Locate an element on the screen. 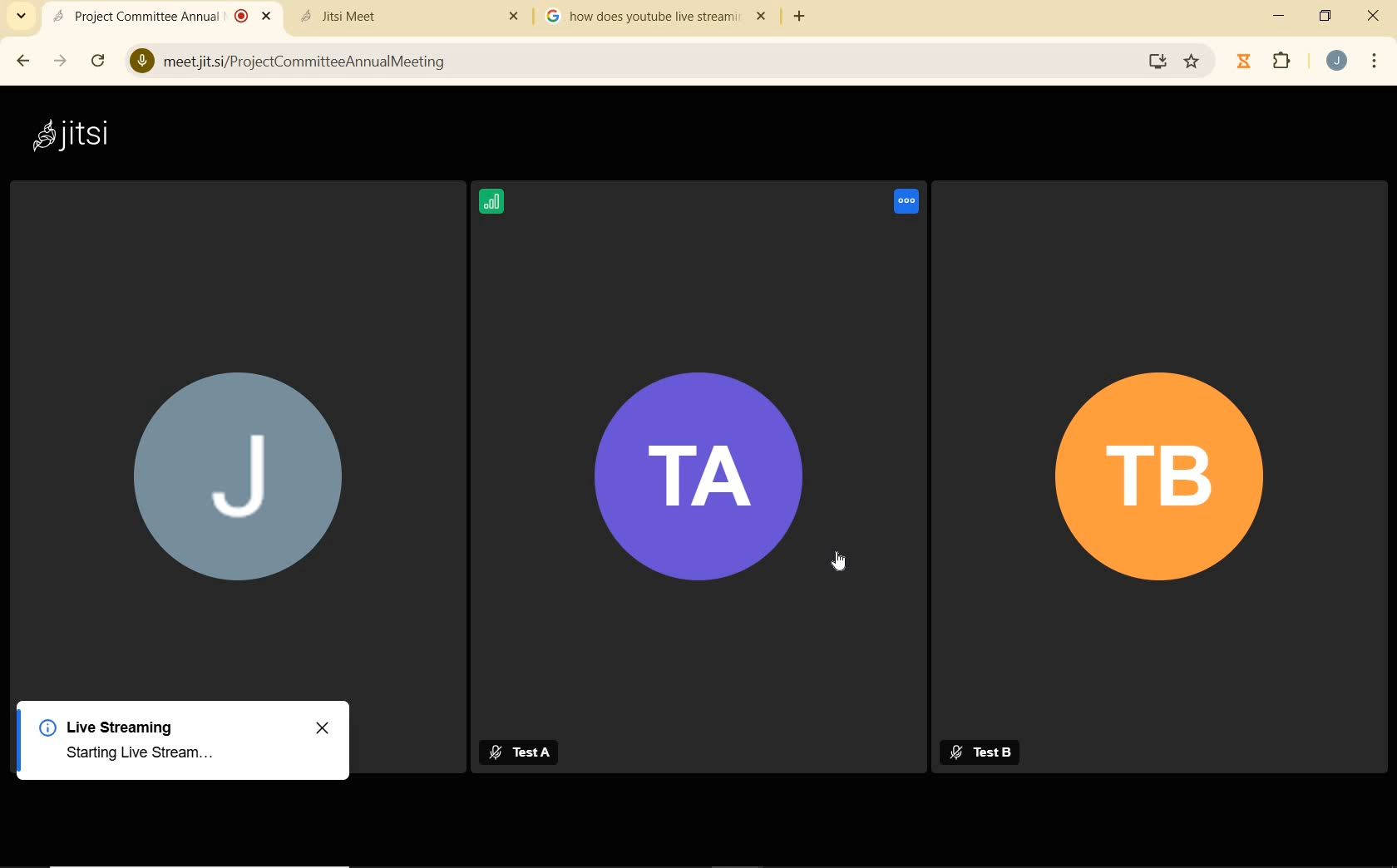  back is located at coordinates (24, 60).